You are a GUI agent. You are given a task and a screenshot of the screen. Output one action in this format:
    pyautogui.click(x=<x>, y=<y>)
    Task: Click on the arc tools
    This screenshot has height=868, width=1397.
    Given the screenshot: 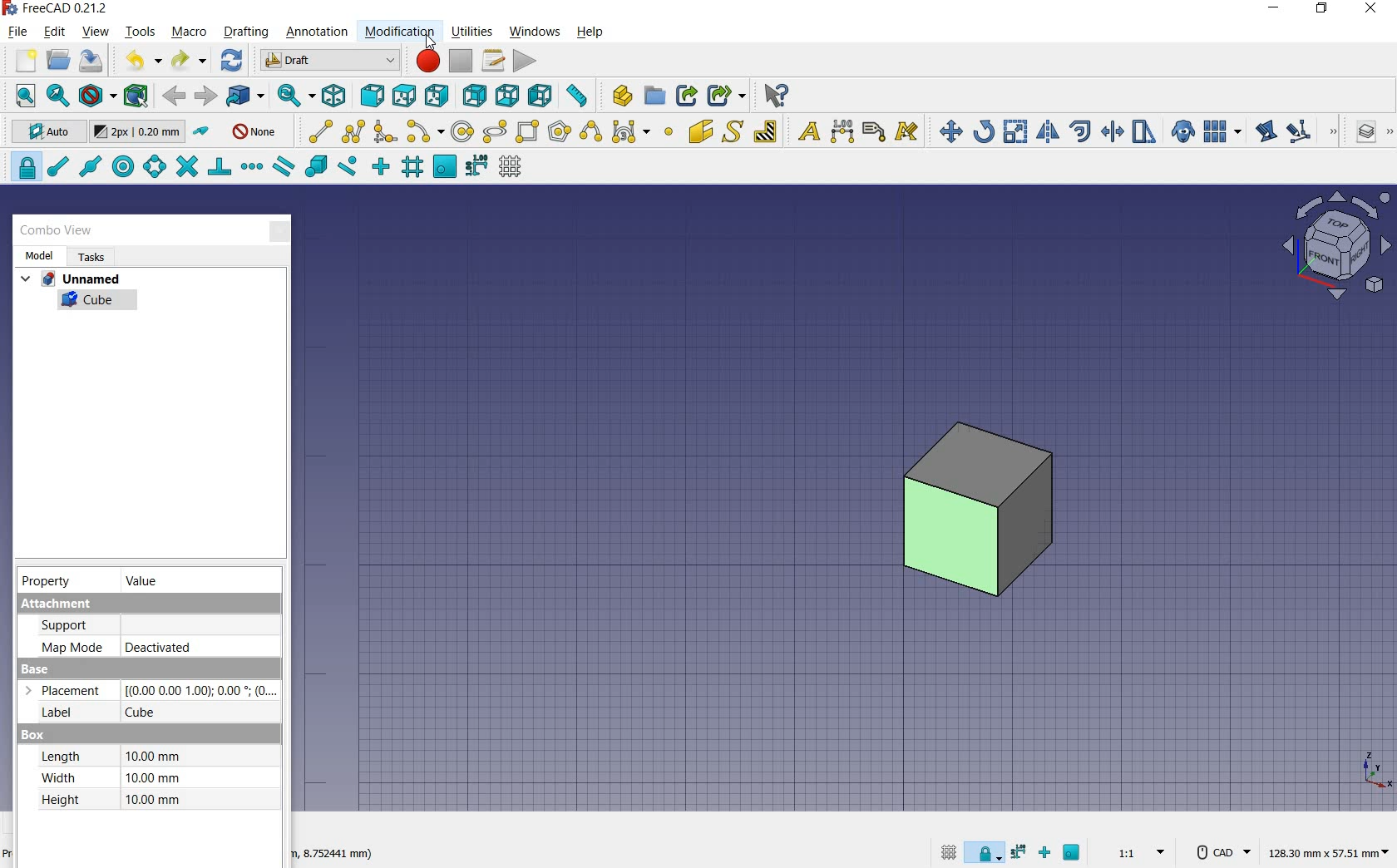 What is the action you would take?
    pyautogui.click(x=425, y=131)
    